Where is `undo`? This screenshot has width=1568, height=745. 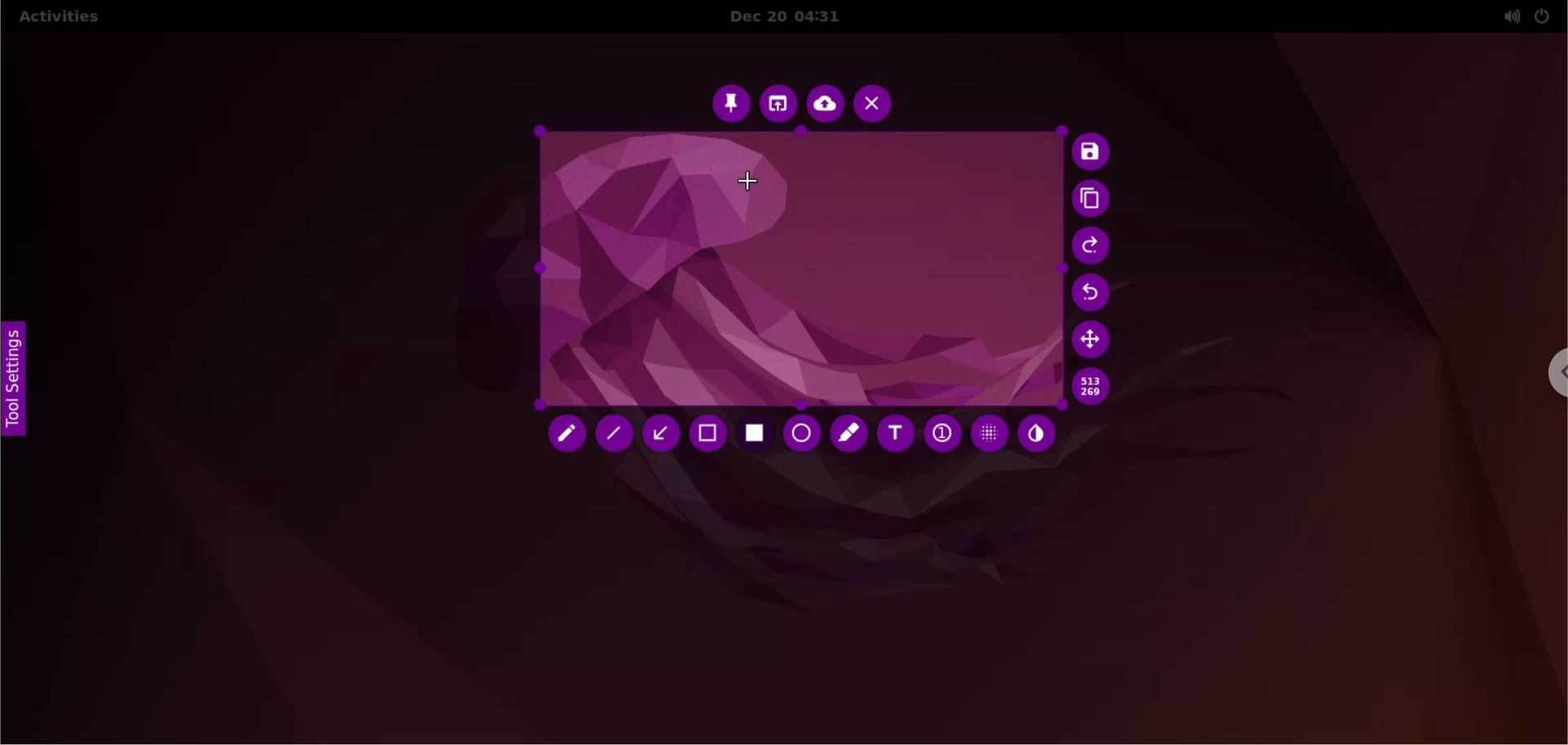
undo is located at coordinates (1092, 292).